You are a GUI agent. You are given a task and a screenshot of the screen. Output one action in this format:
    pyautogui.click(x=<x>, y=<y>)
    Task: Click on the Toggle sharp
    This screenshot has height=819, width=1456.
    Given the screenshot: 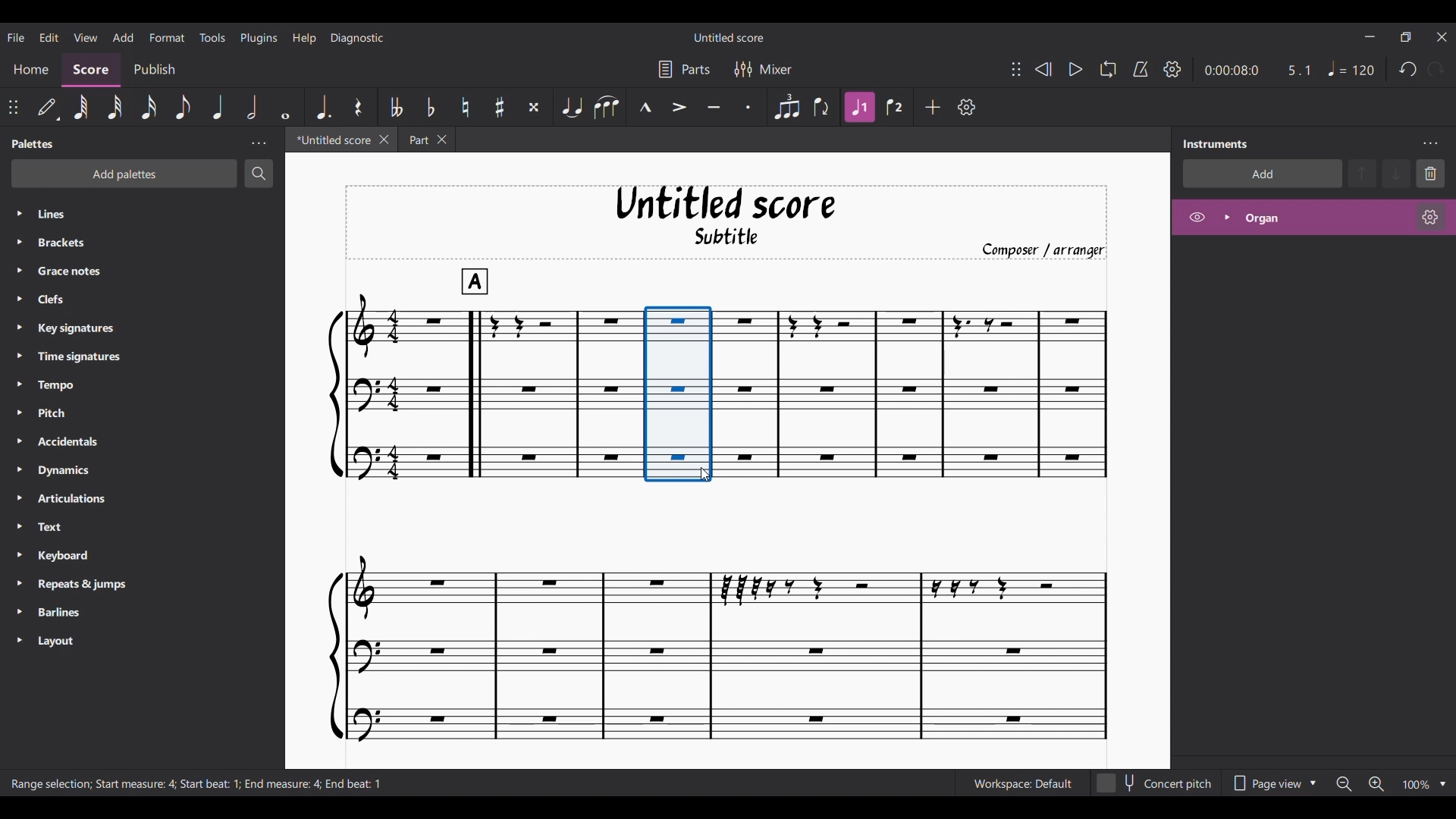 What is the action you would take?
    pyautogui.click(x=499, y=108)
    